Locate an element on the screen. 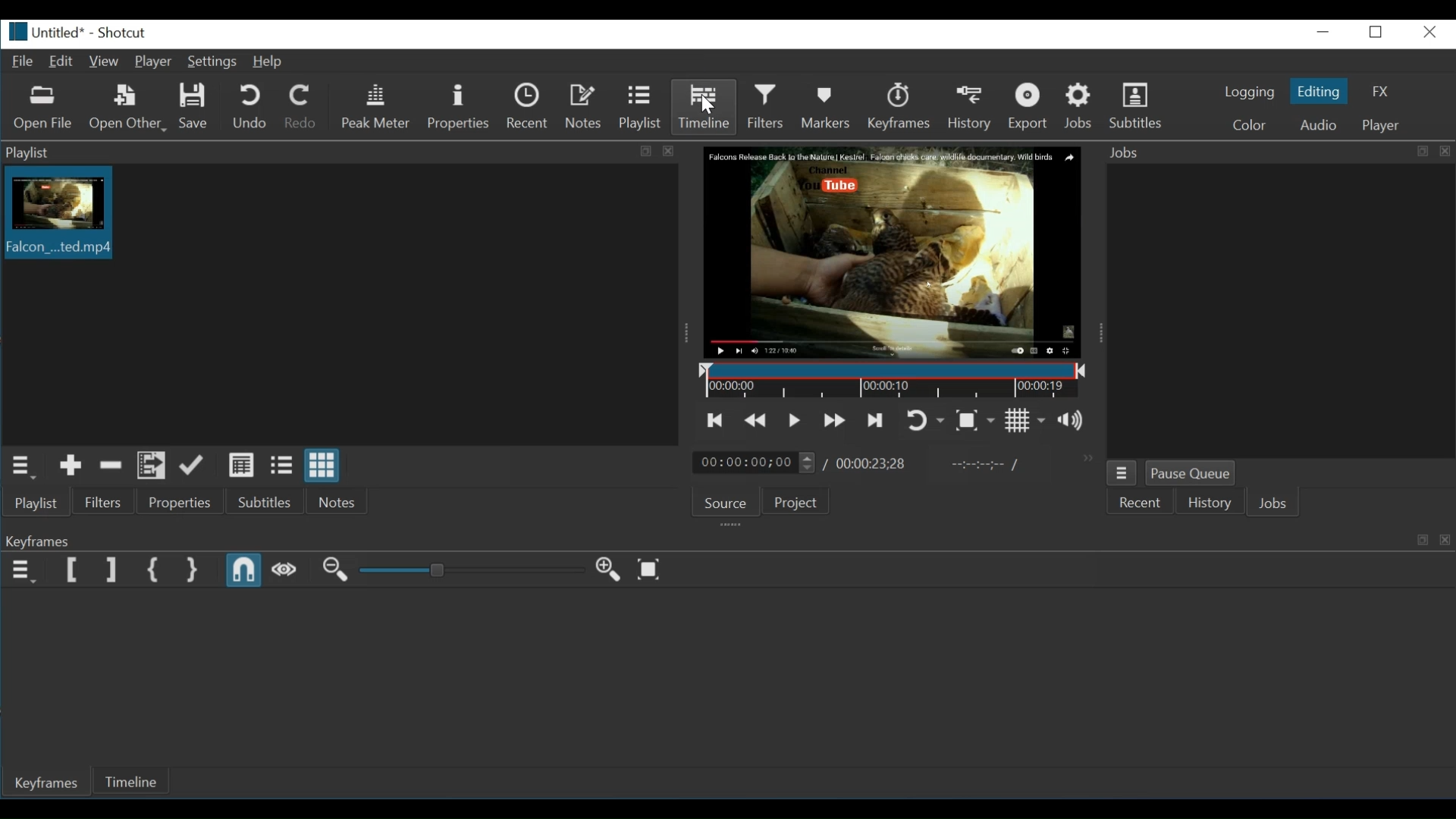 The width and height of the screenshot is (1456, 819). Help is located at coordinates (269, 63).